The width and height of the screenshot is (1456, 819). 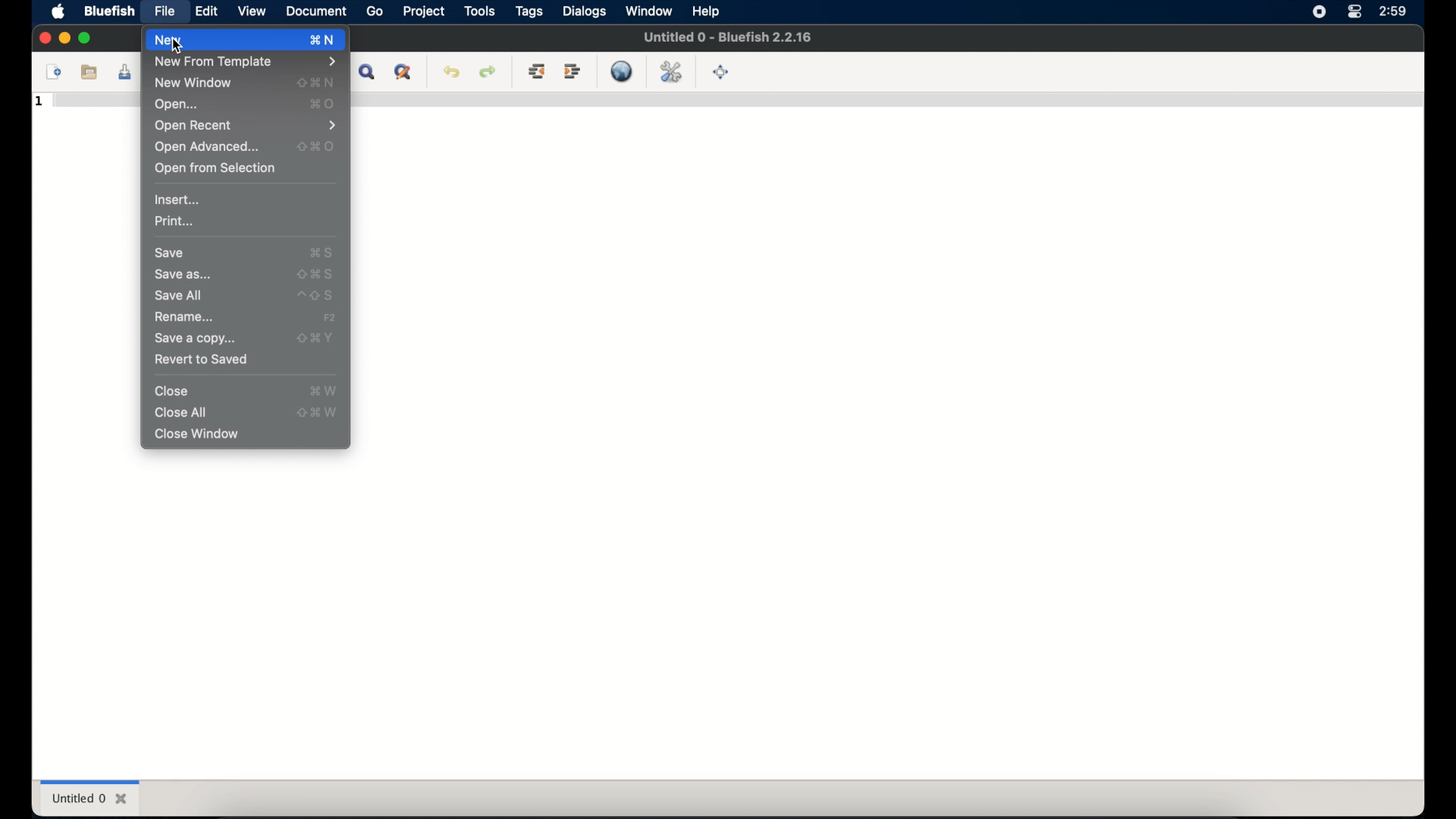 I want to click on untitled 0, so click(x=89, y=799).